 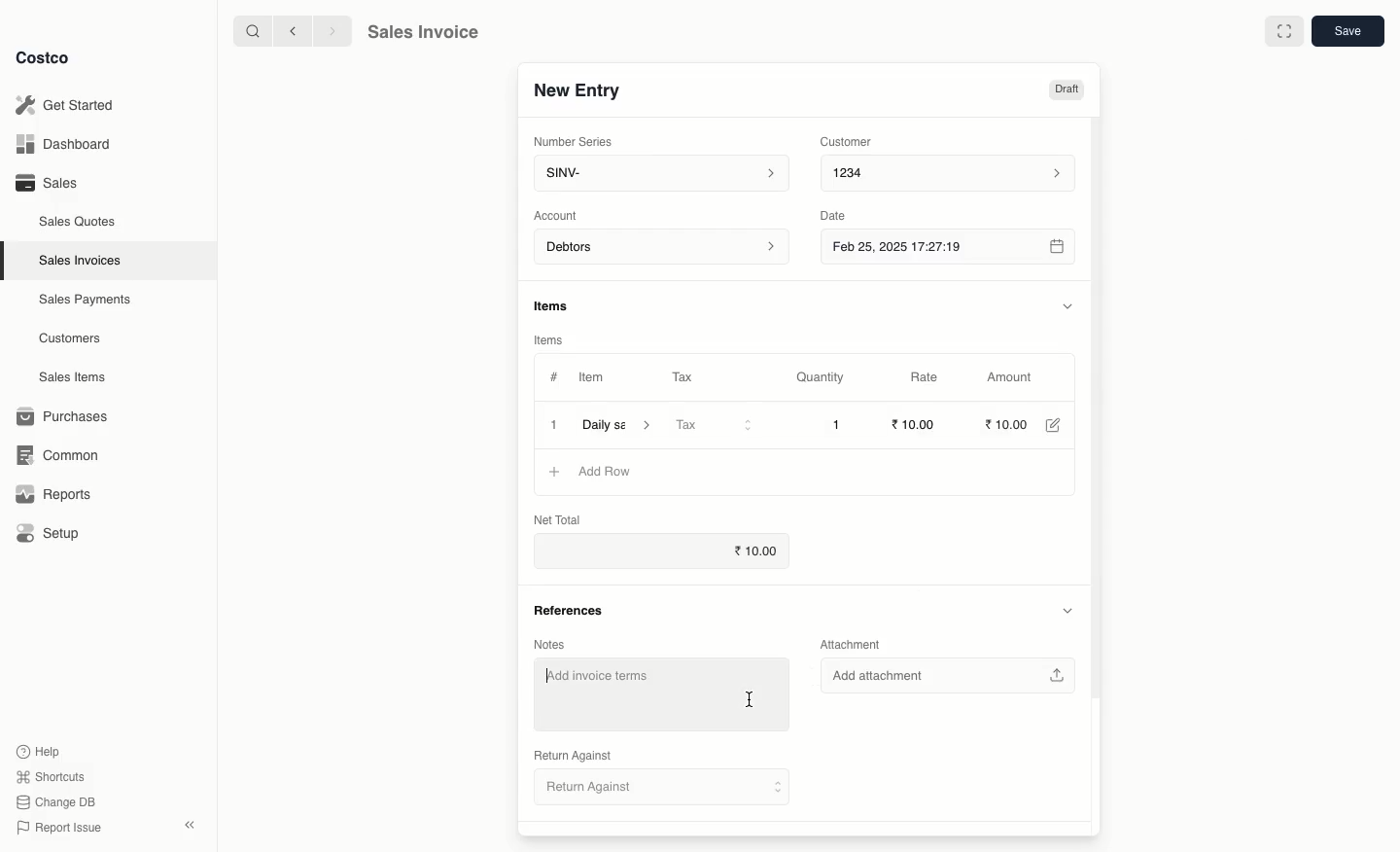 I want to click on 10.00, so click(x=916, y=424).